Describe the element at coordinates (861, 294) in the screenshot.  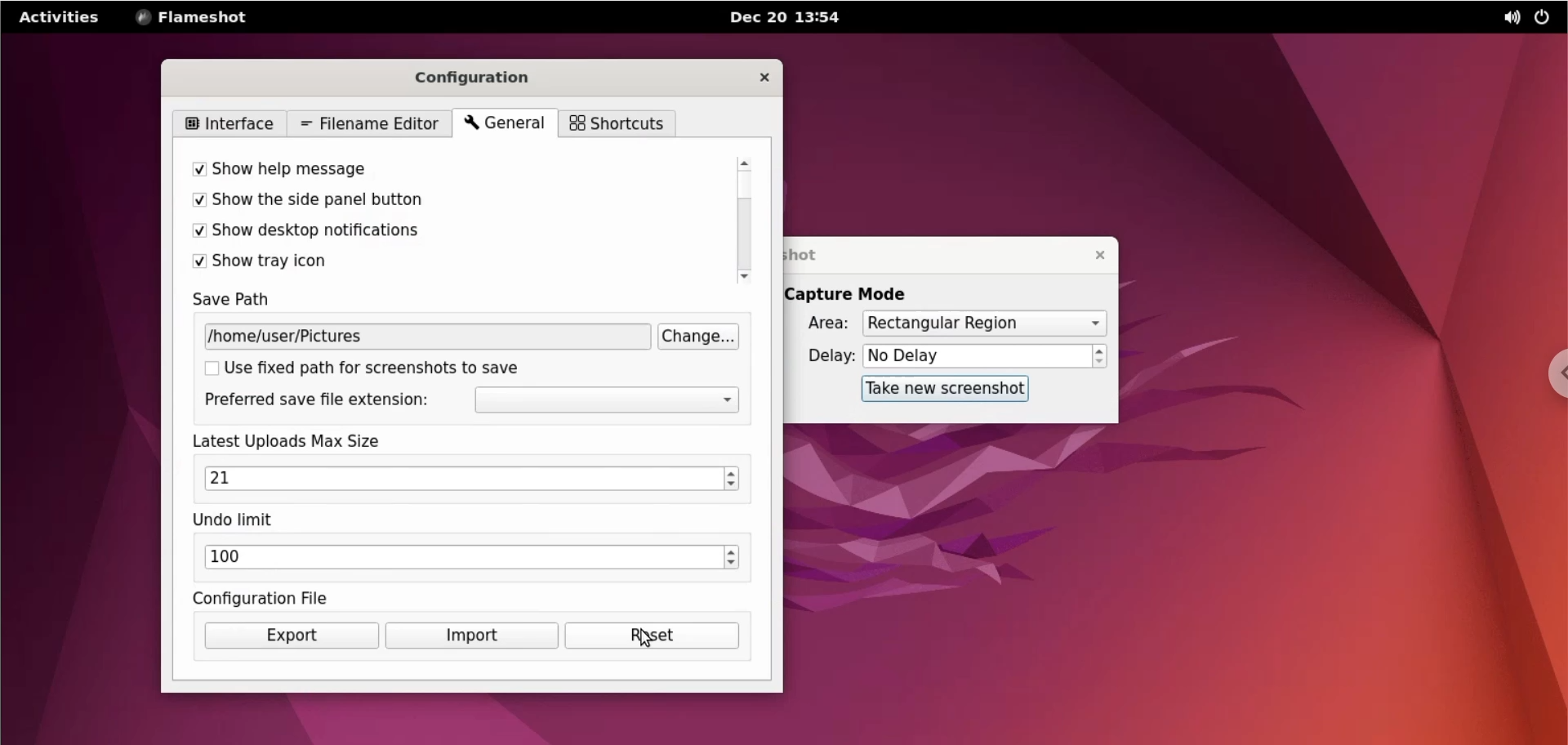
I see `capture mode` at that location.